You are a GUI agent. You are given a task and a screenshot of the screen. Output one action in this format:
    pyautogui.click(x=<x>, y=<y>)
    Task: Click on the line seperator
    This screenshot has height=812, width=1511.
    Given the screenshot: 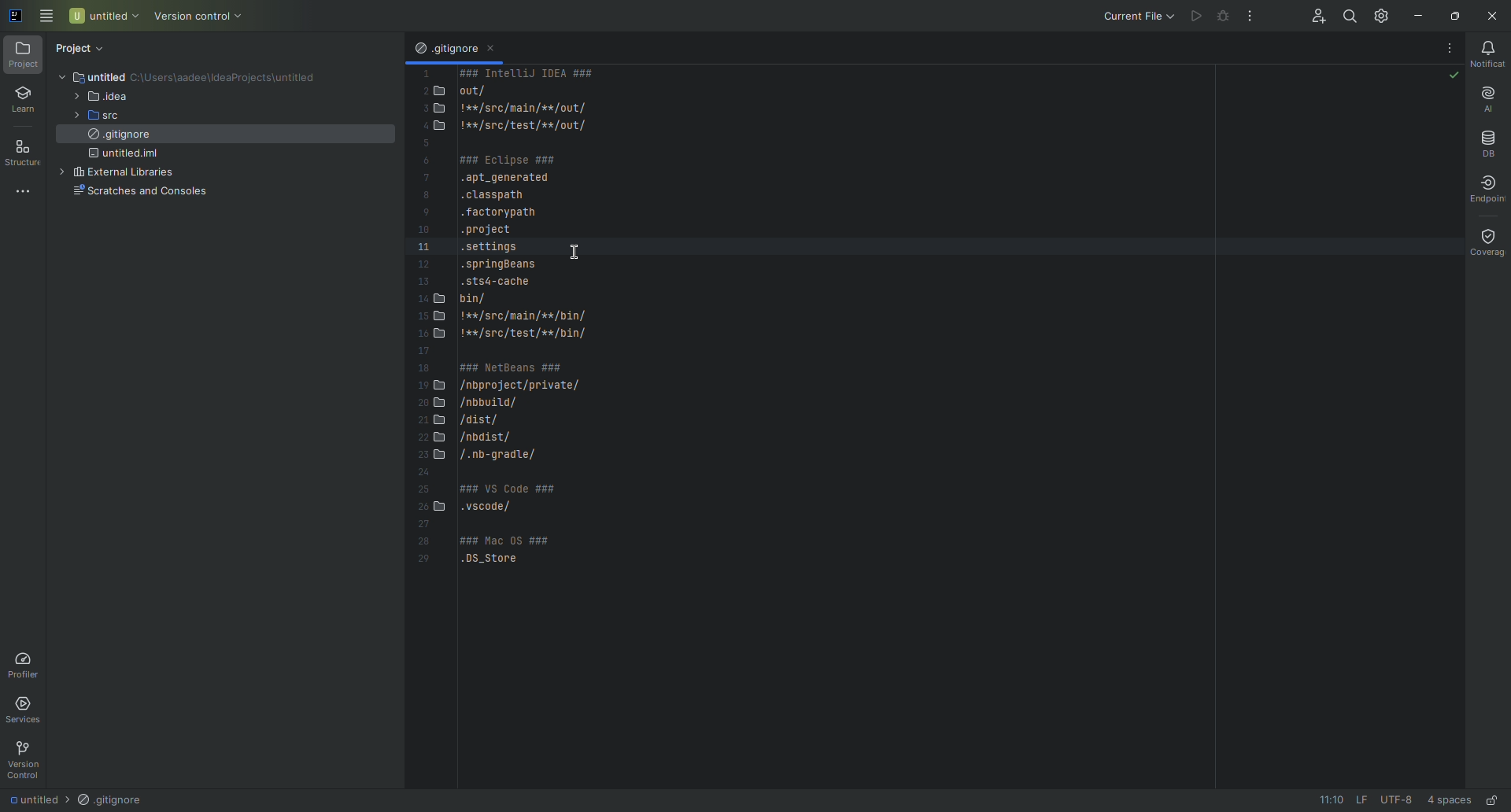 What is the action you would take?
    pyautogui.click(x=1357, y=799)
    